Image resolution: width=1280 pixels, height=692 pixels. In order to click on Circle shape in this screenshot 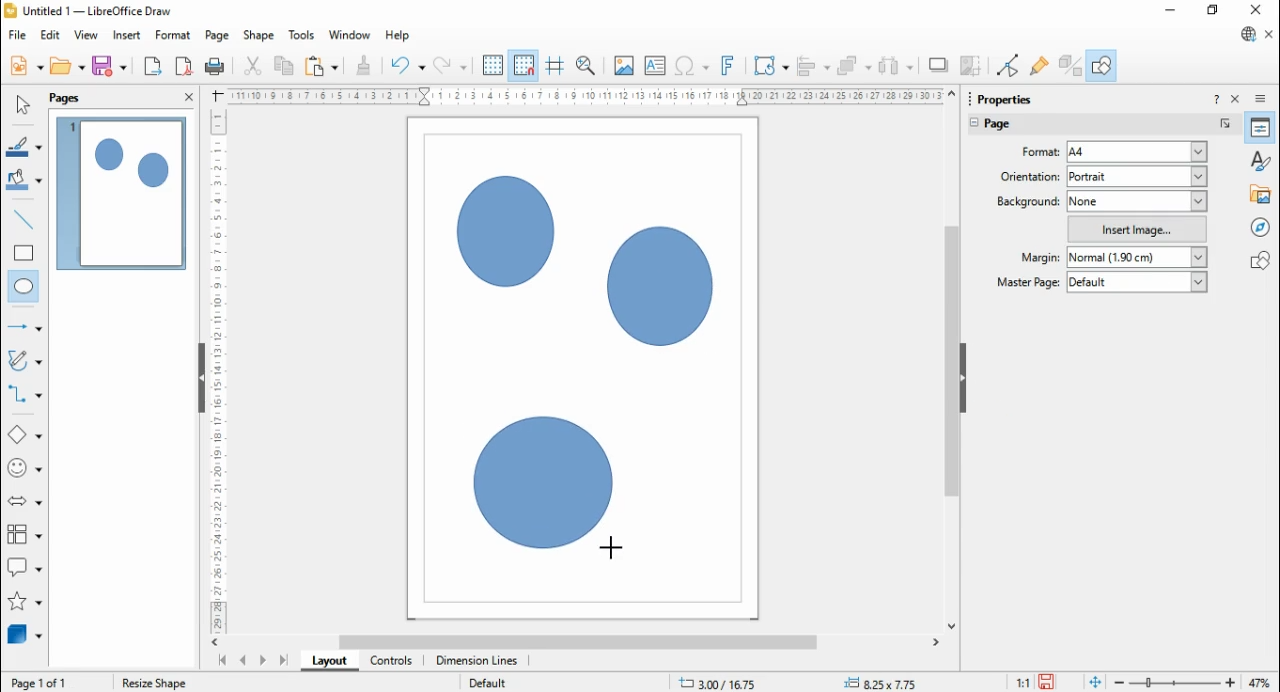, I will do `click(661, 290)`.